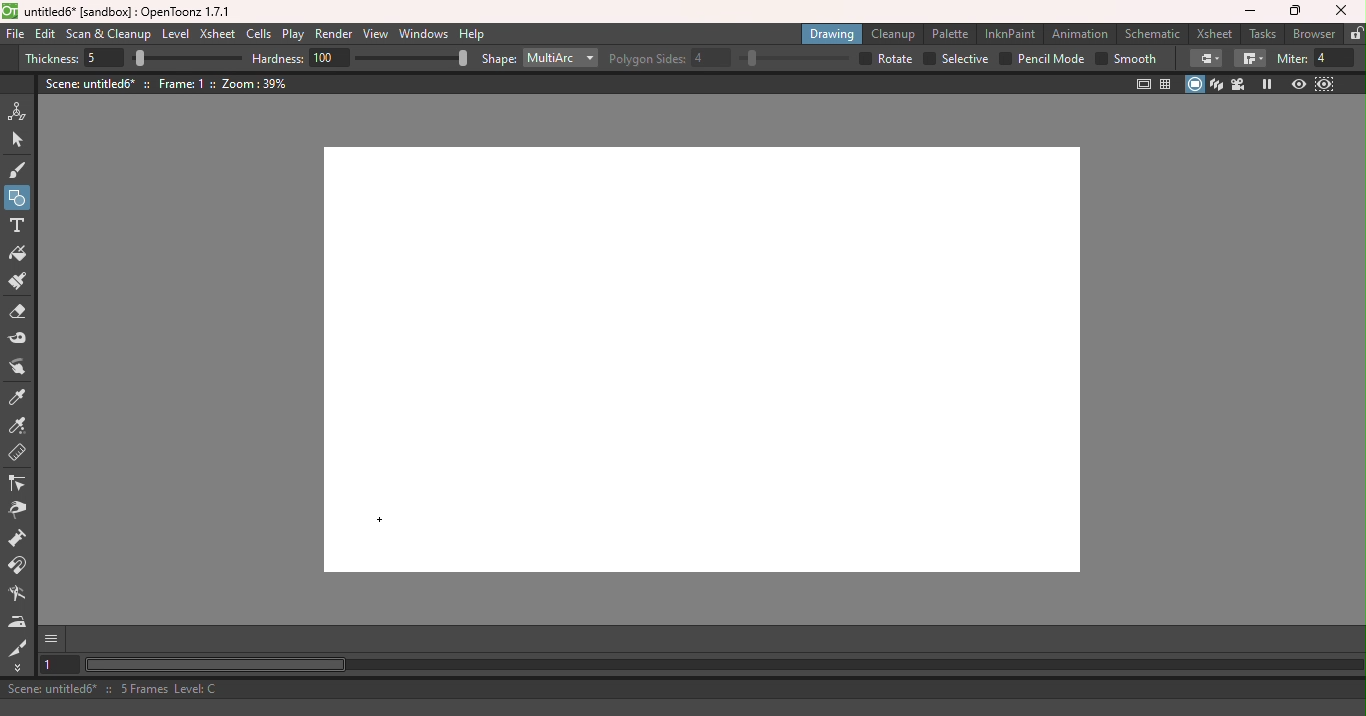 The height and width of the screenshot is (716, 1366). Describe the element at coordinates (302, 58) in the screenshot. I see `Hardness` at that location.